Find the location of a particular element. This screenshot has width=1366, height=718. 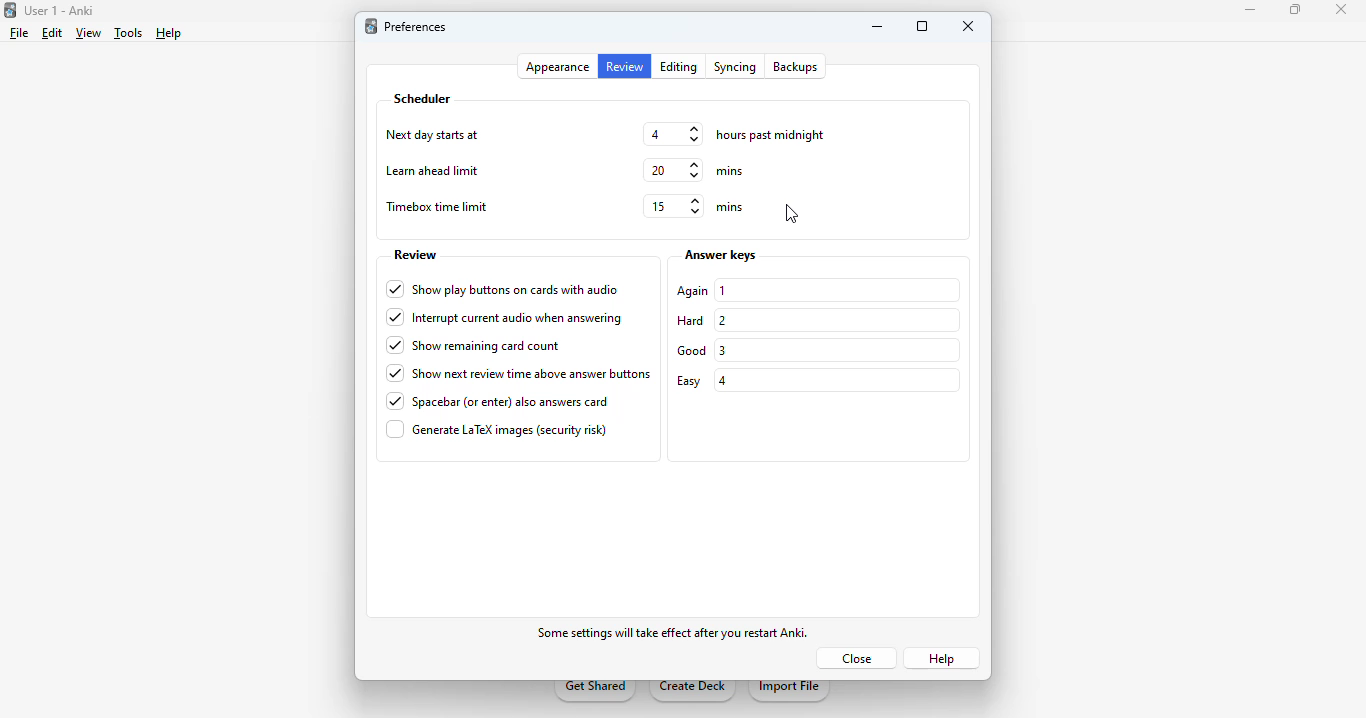

view is located at coordinates (88, 34).